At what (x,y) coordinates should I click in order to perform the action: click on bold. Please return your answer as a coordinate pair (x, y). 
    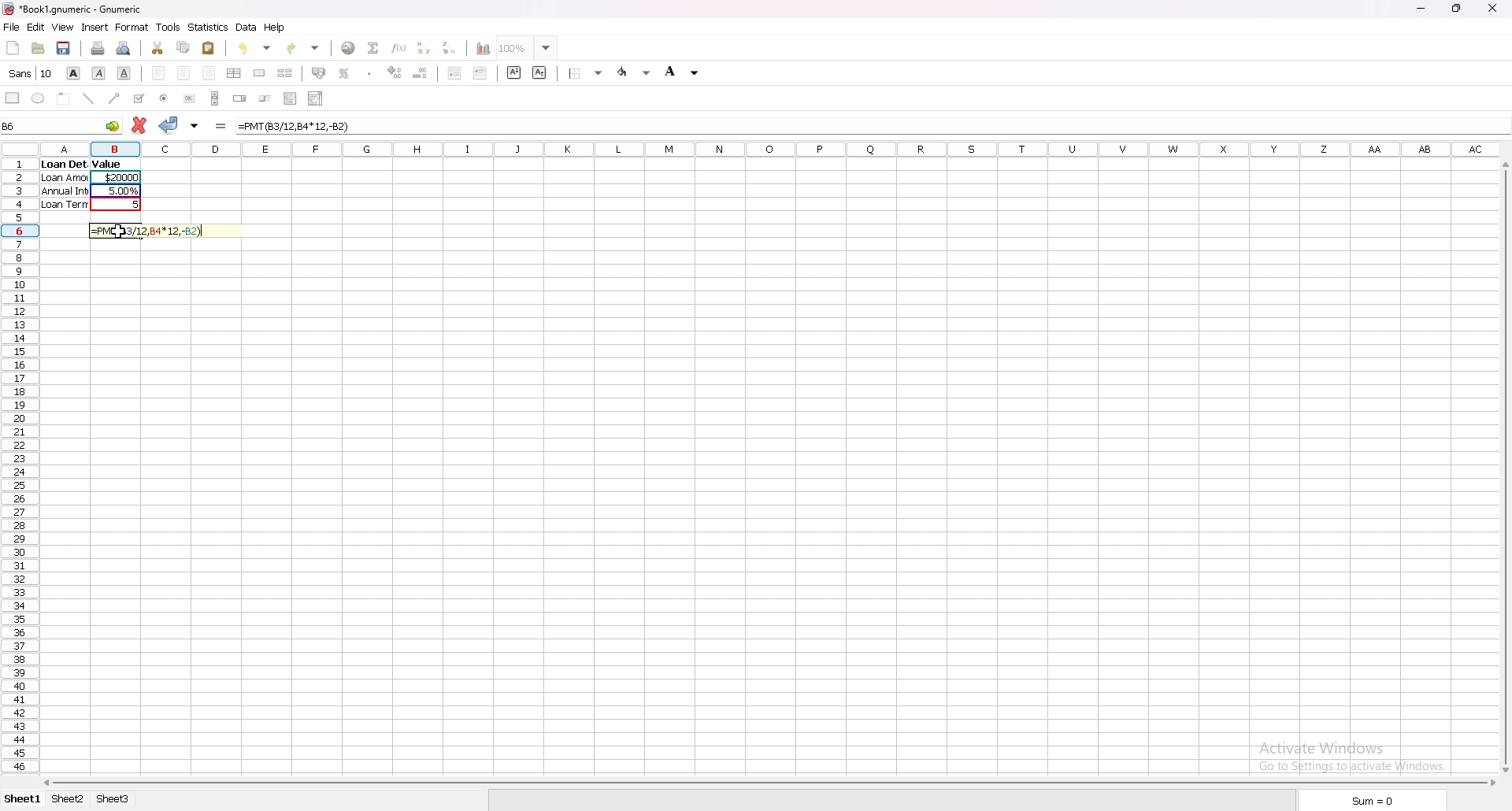
    Looking at the image, I should click on (73, 72).